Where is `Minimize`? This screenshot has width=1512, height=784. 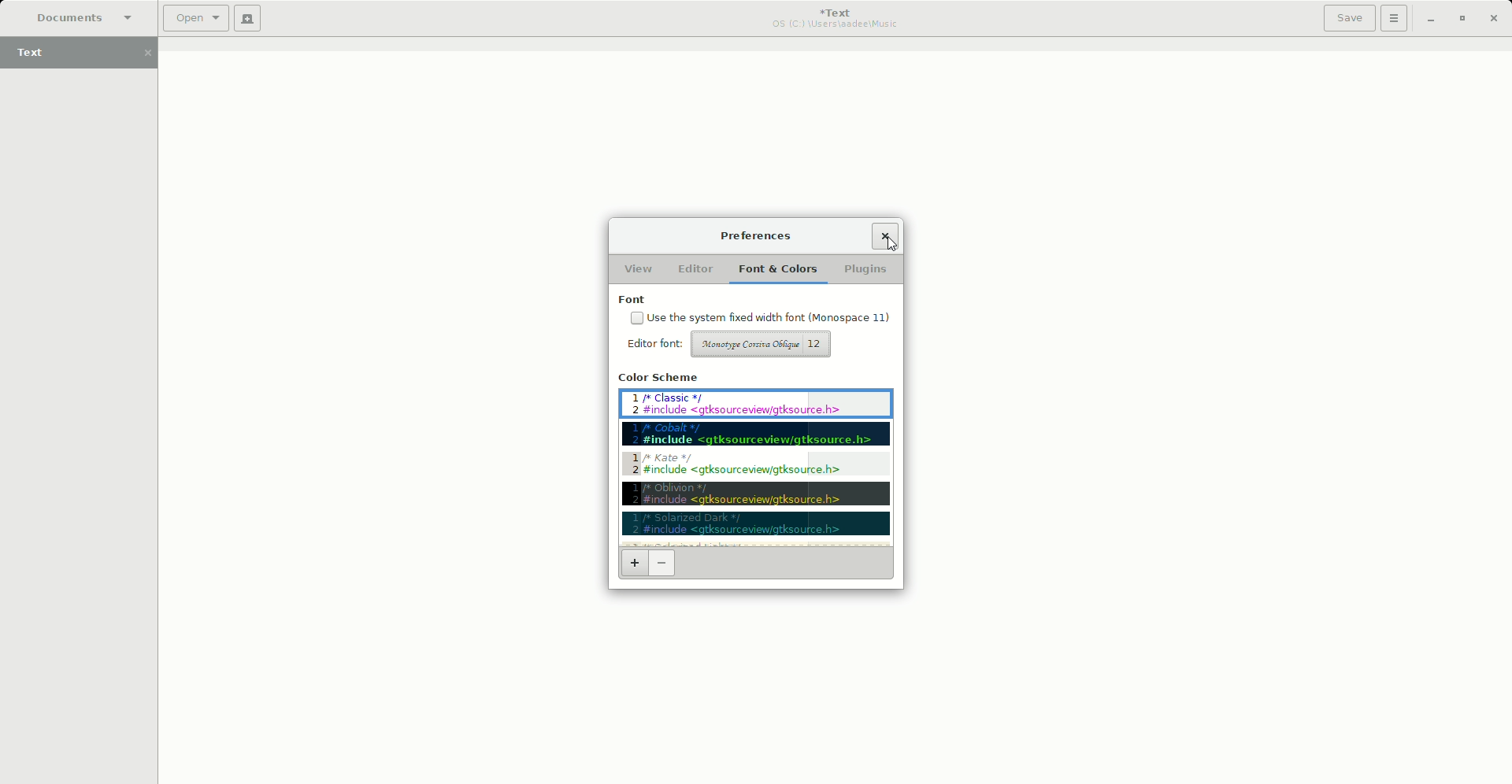 Minimize is located at coordinates (1430, 18).